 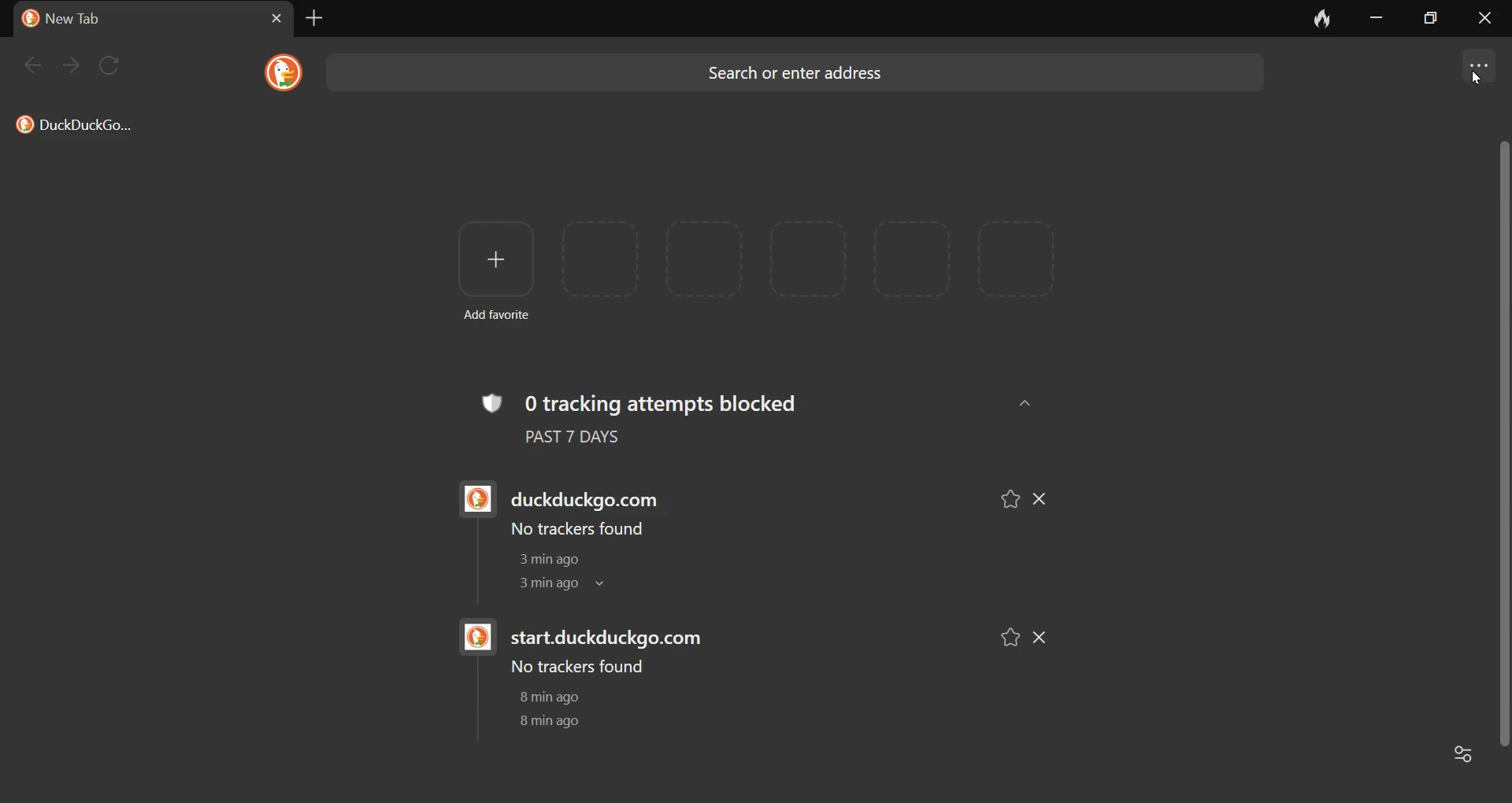 What do you see at coordinates (552, 698) in the screenshot?
I see `8 min ago` at bounding box center [552, 698].